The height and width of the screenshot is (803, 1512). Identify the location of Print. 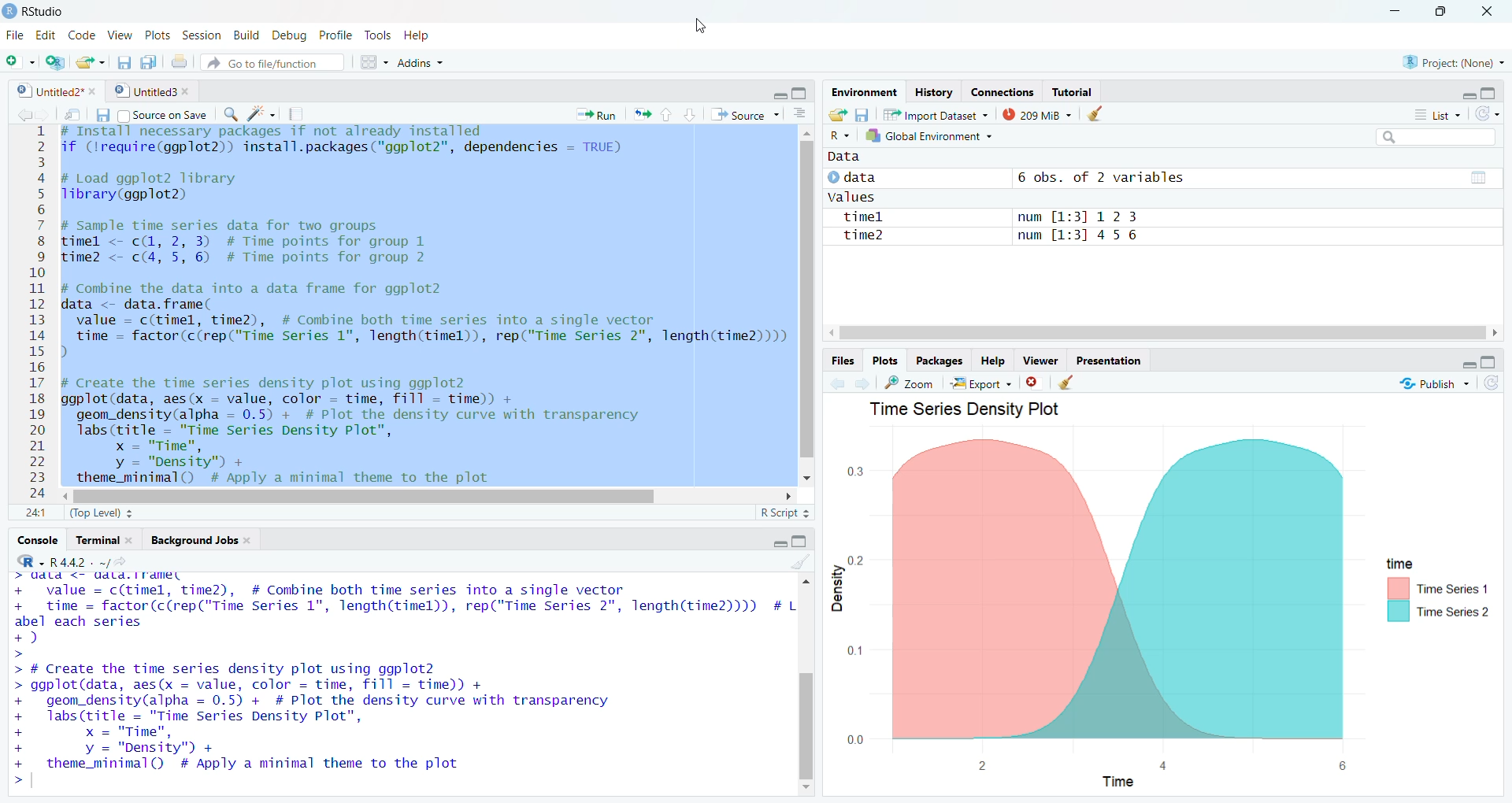
(179, 62).